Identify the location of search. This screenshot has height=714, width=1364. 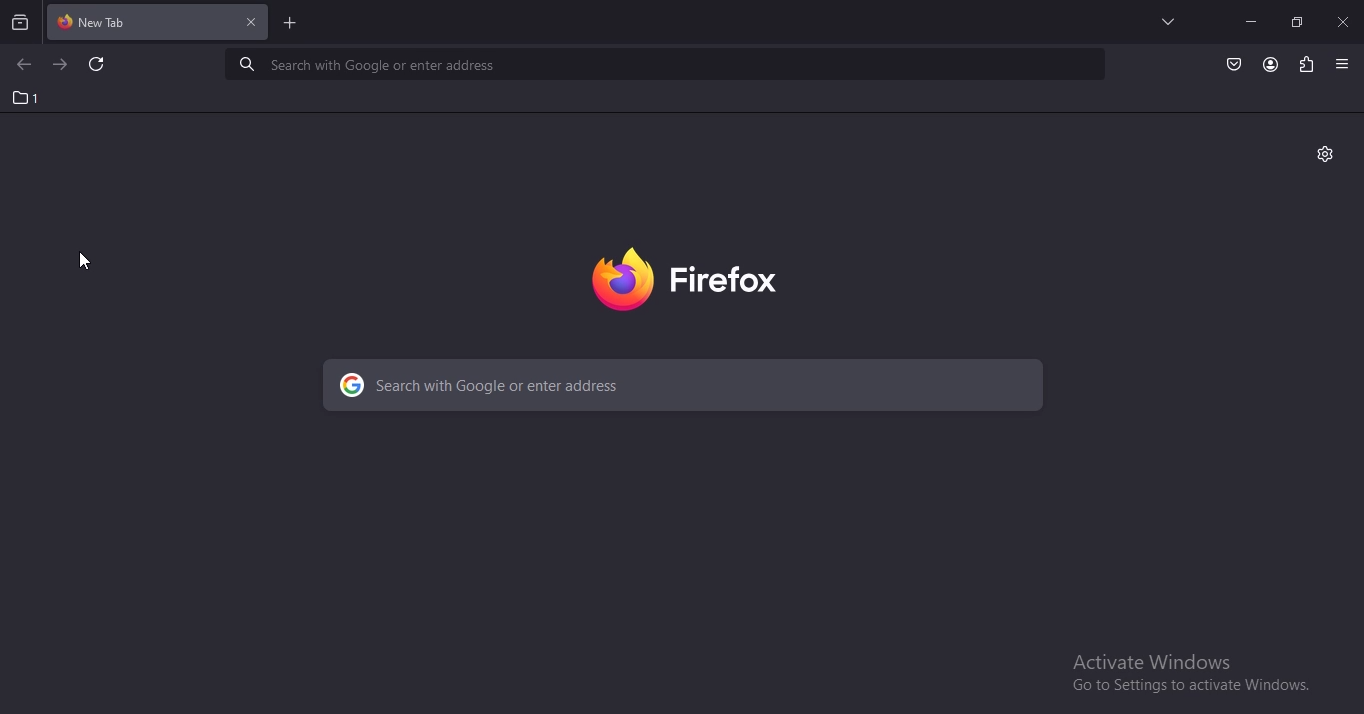
(688, 386).